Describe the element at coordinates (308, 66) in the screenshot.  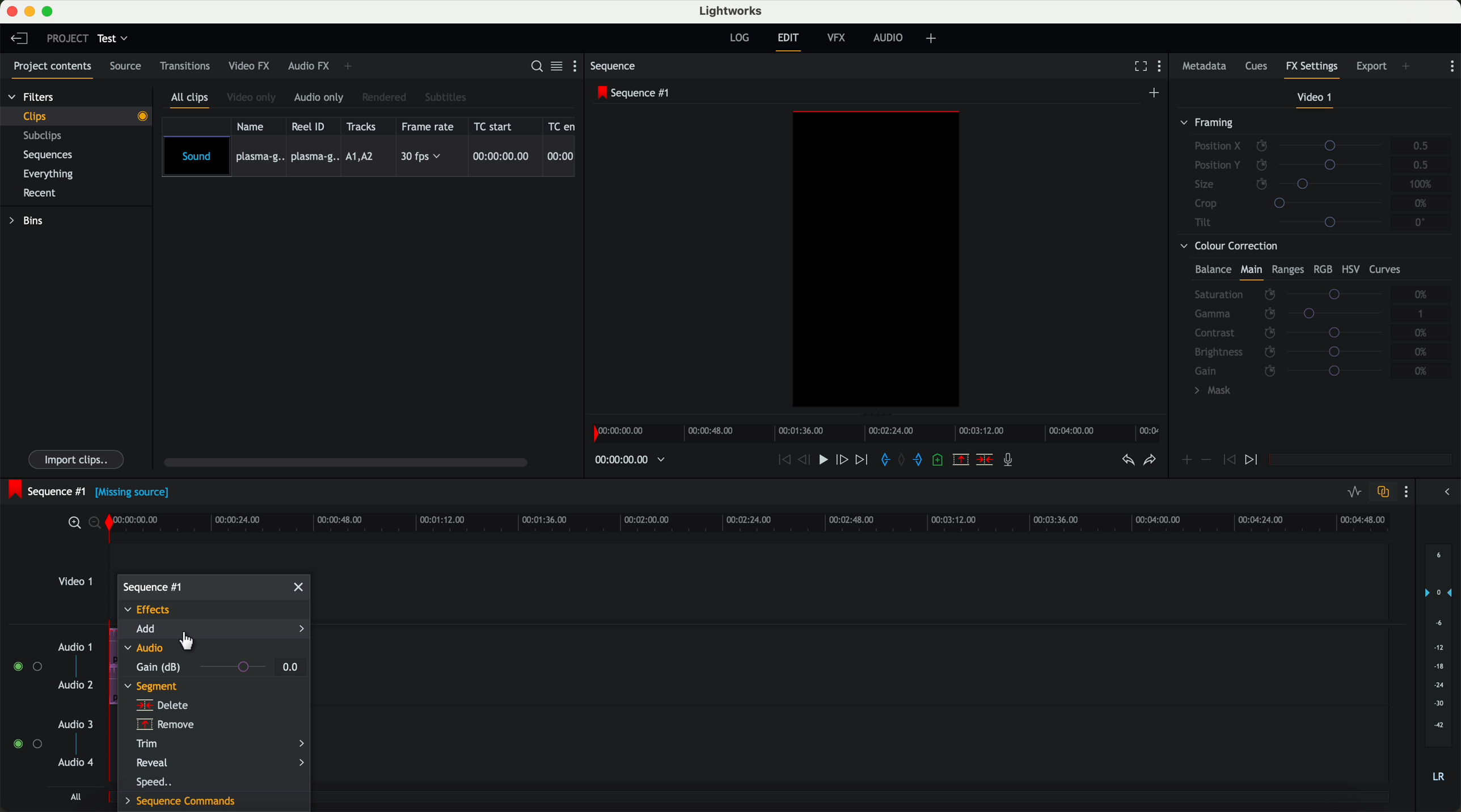
I see `audio FX` at that location.